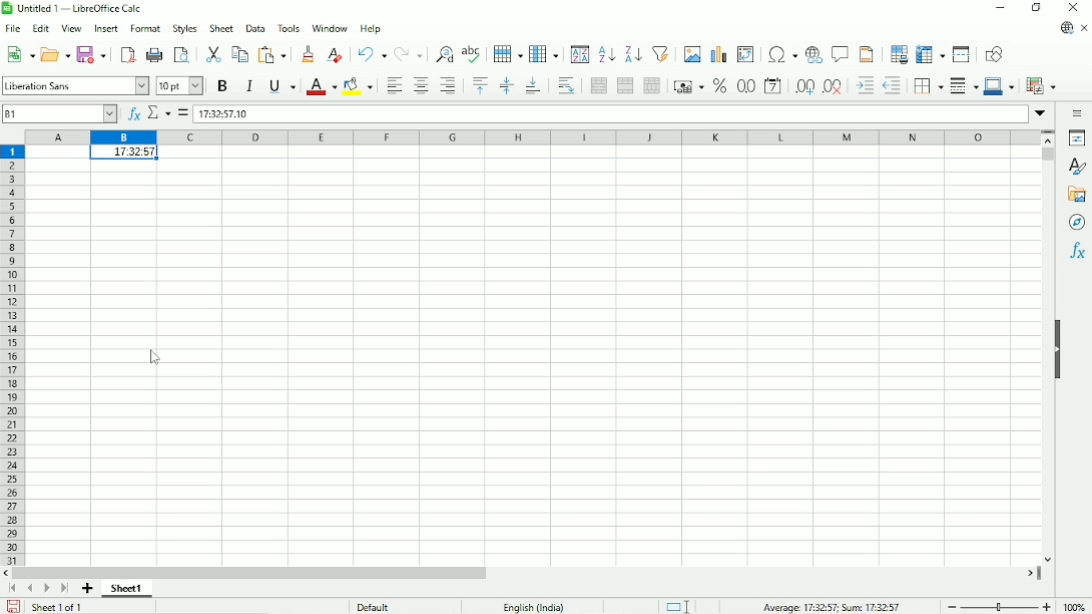  Describe the element at coordinates (376, 605) in the screenshot. I see `Default` at that location.